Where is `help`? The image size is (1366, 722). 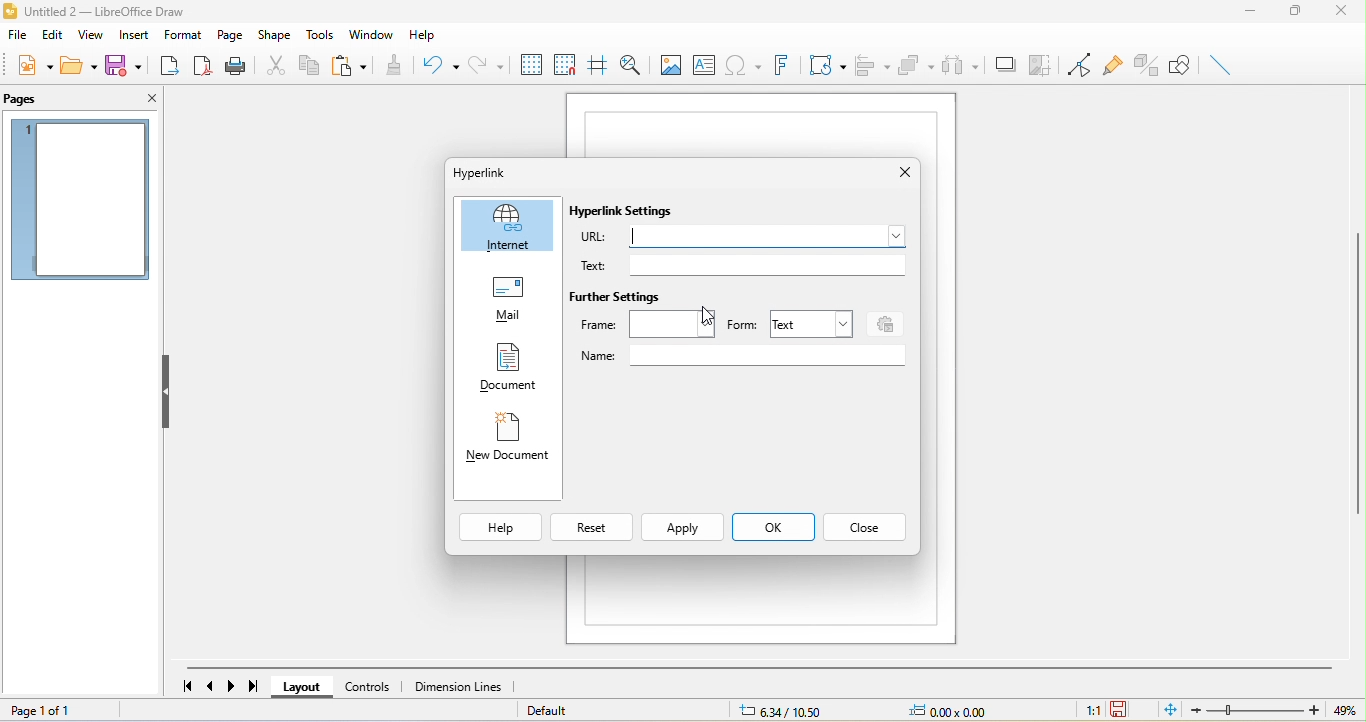 help is located at coordinates (501, 526).